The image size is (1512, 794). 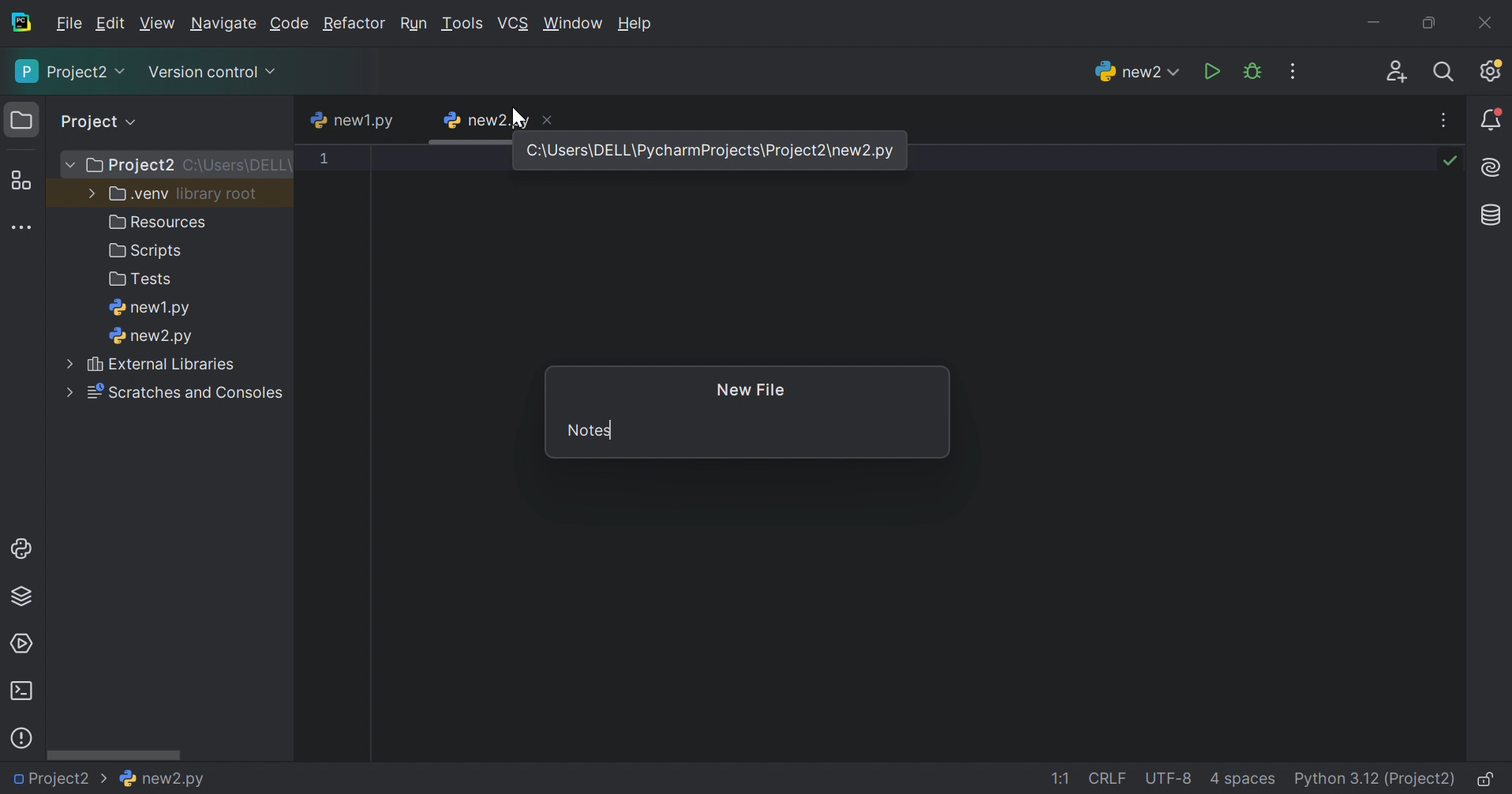 What do you see at coordinates (1426, 24) in the screenshot?
I see `Restore down` at bounding box center [1426, 24].